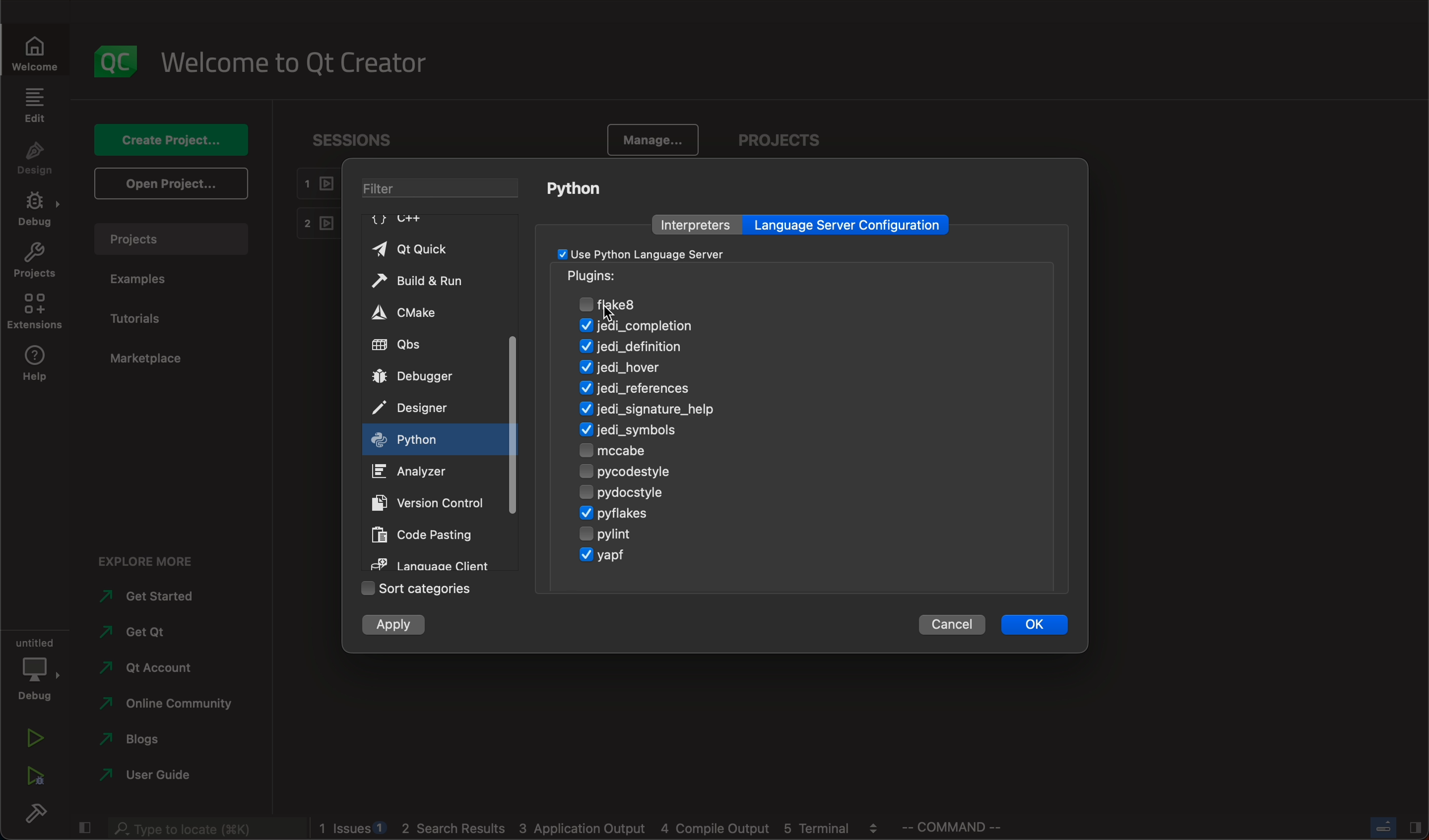 The image size is (1429, 840). I want to click on run, so click(37, 740).